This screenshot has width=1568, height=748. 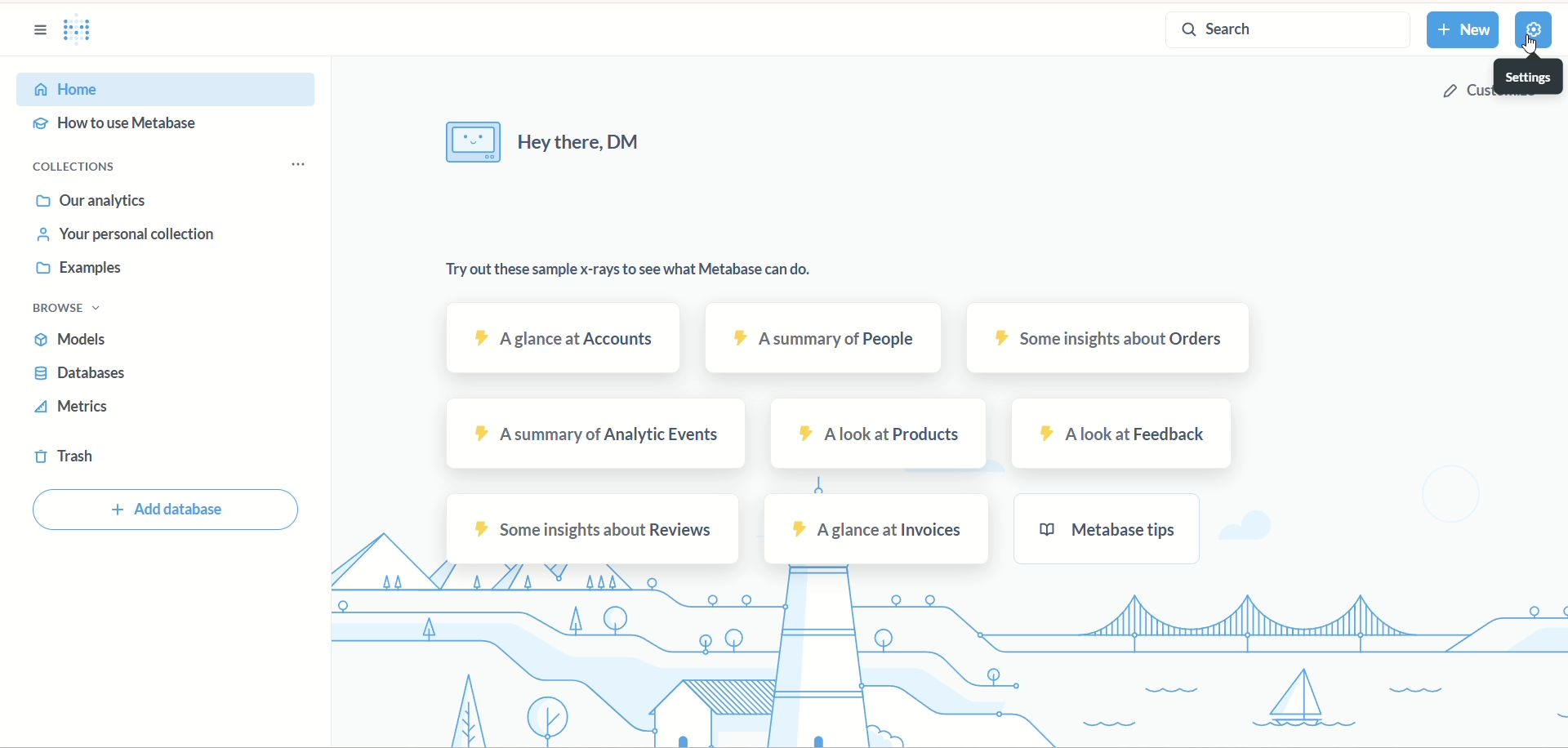 I want to click on logo, so click(x=86, y=32).